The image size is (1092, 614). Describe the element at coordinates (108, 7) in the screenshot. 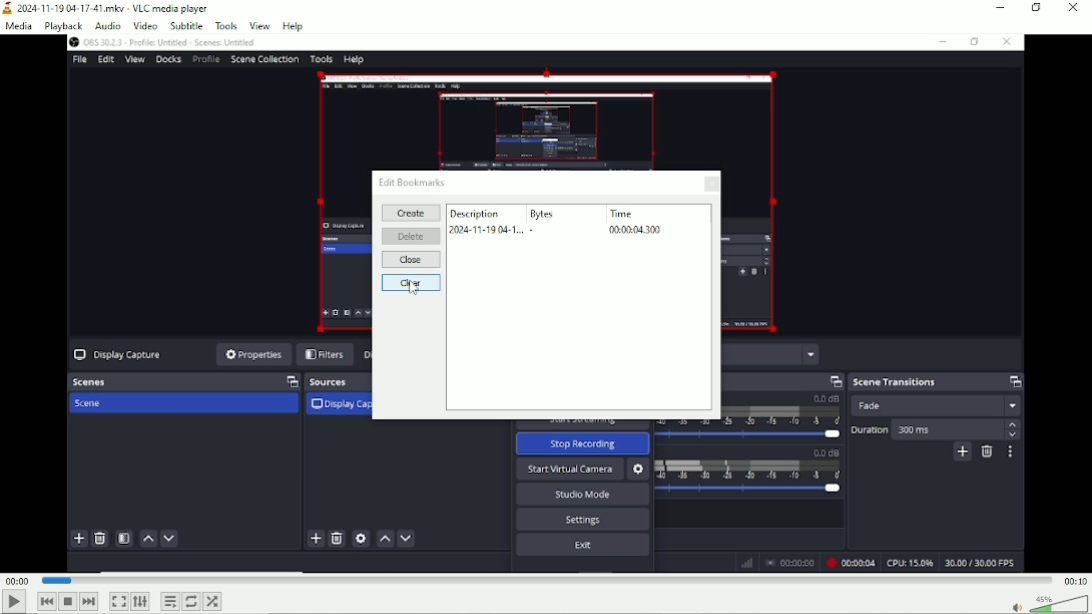

I see `2024-11-19 04-17.mkv - VLC media player` at that location.